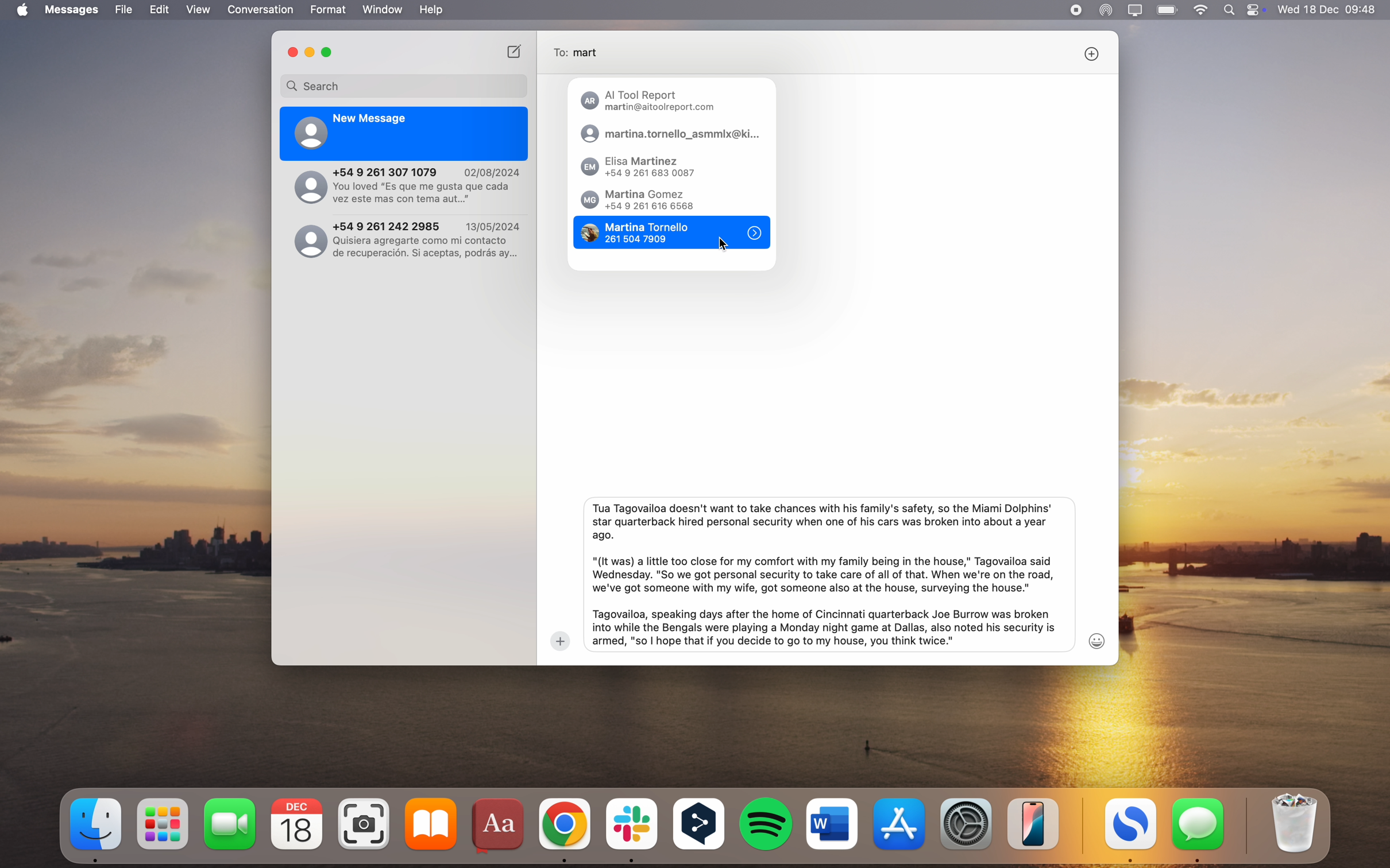  Describe the element at coordinates (581, 53) in the screenshot. I see `to` at that location.